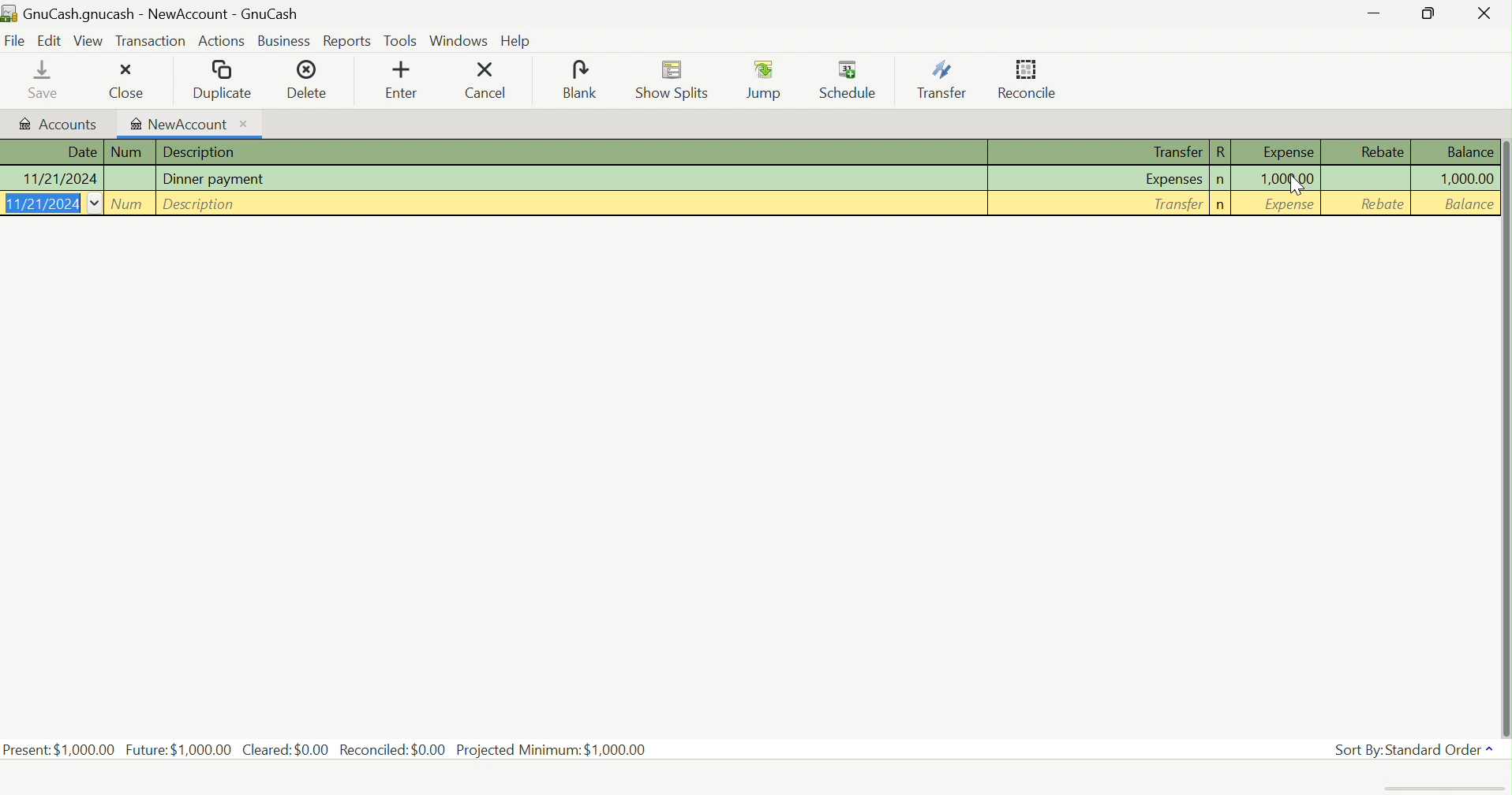 The width and height of the screenshot is (1512, 795). Describe the element at coordinates (286, 42) in the screenshot. I see `Business` at that location.